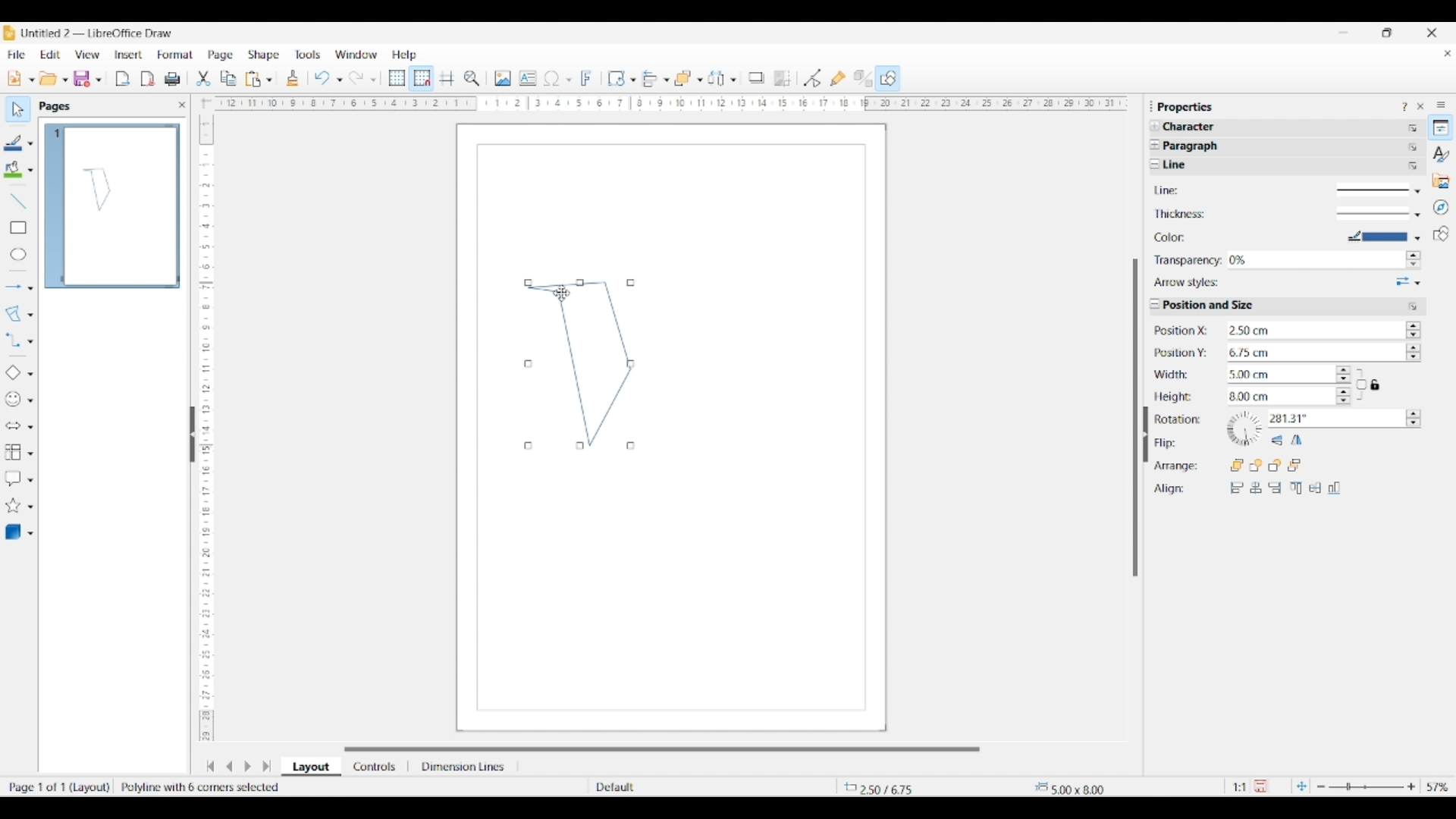  What do you see at coordinates (356, 55) in the screenshot?
I see `Window` at bounding box center [356, 55].